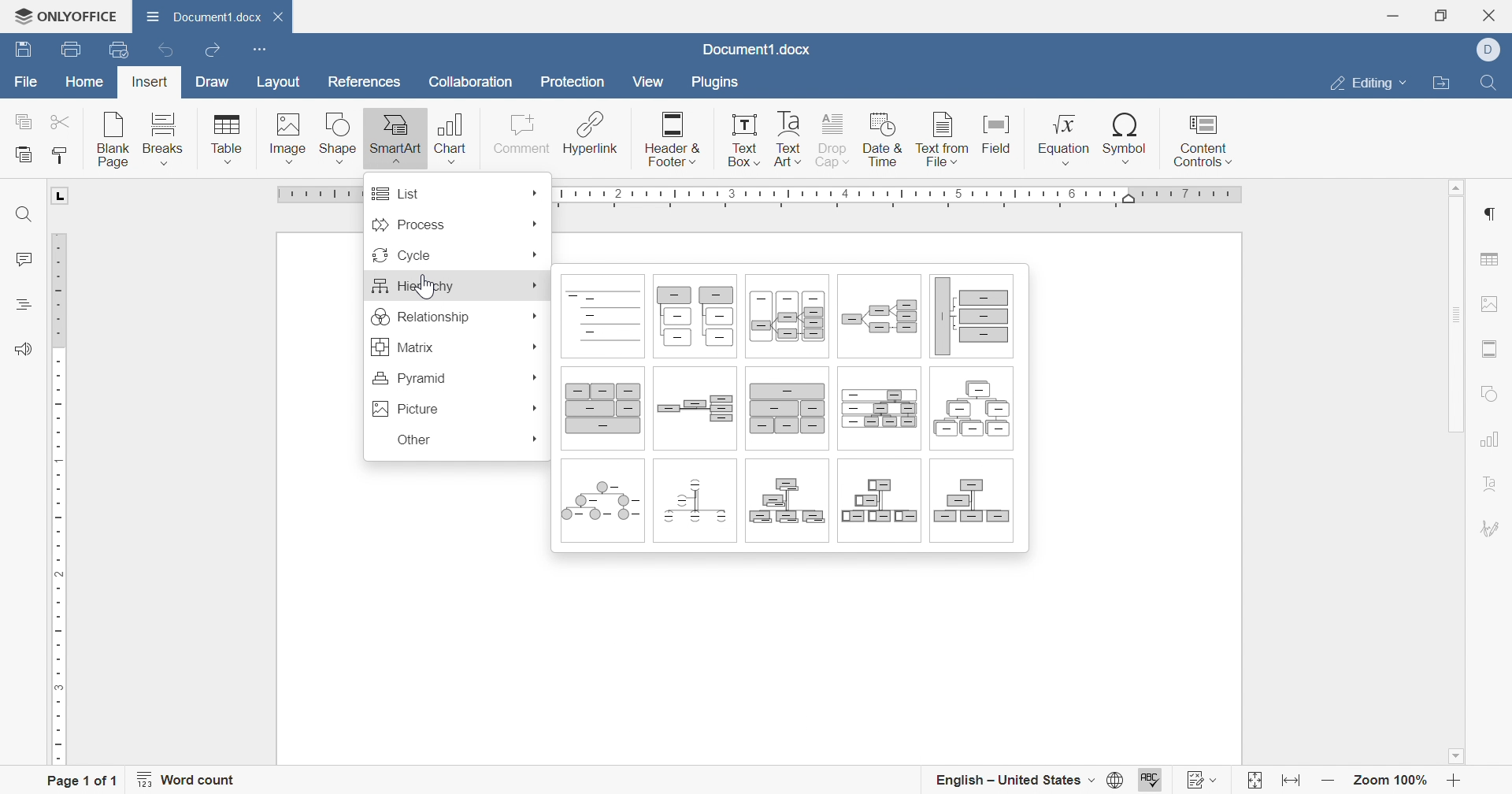  Describe the element at coordinates (788, 141) in the screenshot. I see `Text art` at that location.